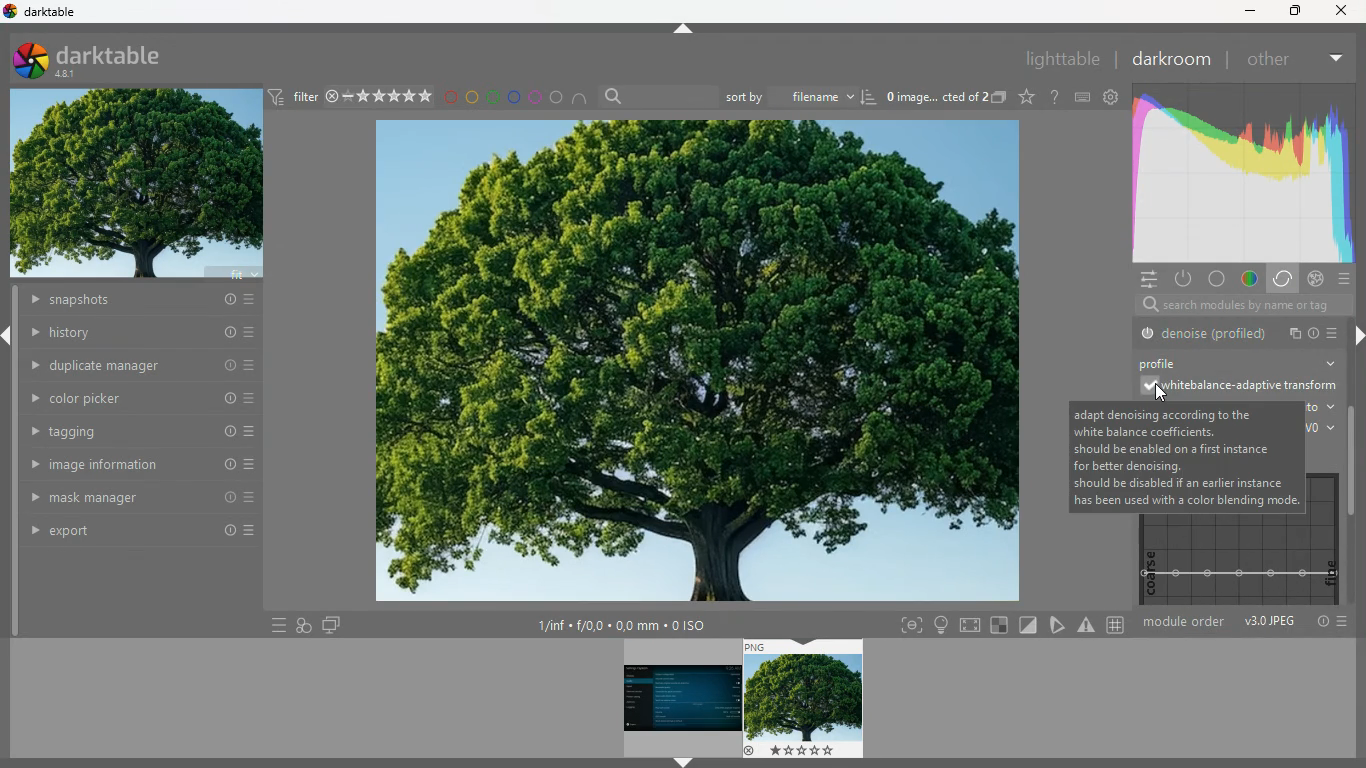 The width and height of the screenshot is (1366, 768). Describe the element at coordinates (1353, 463) in the screenshot. I see `scroll bar` at that location.